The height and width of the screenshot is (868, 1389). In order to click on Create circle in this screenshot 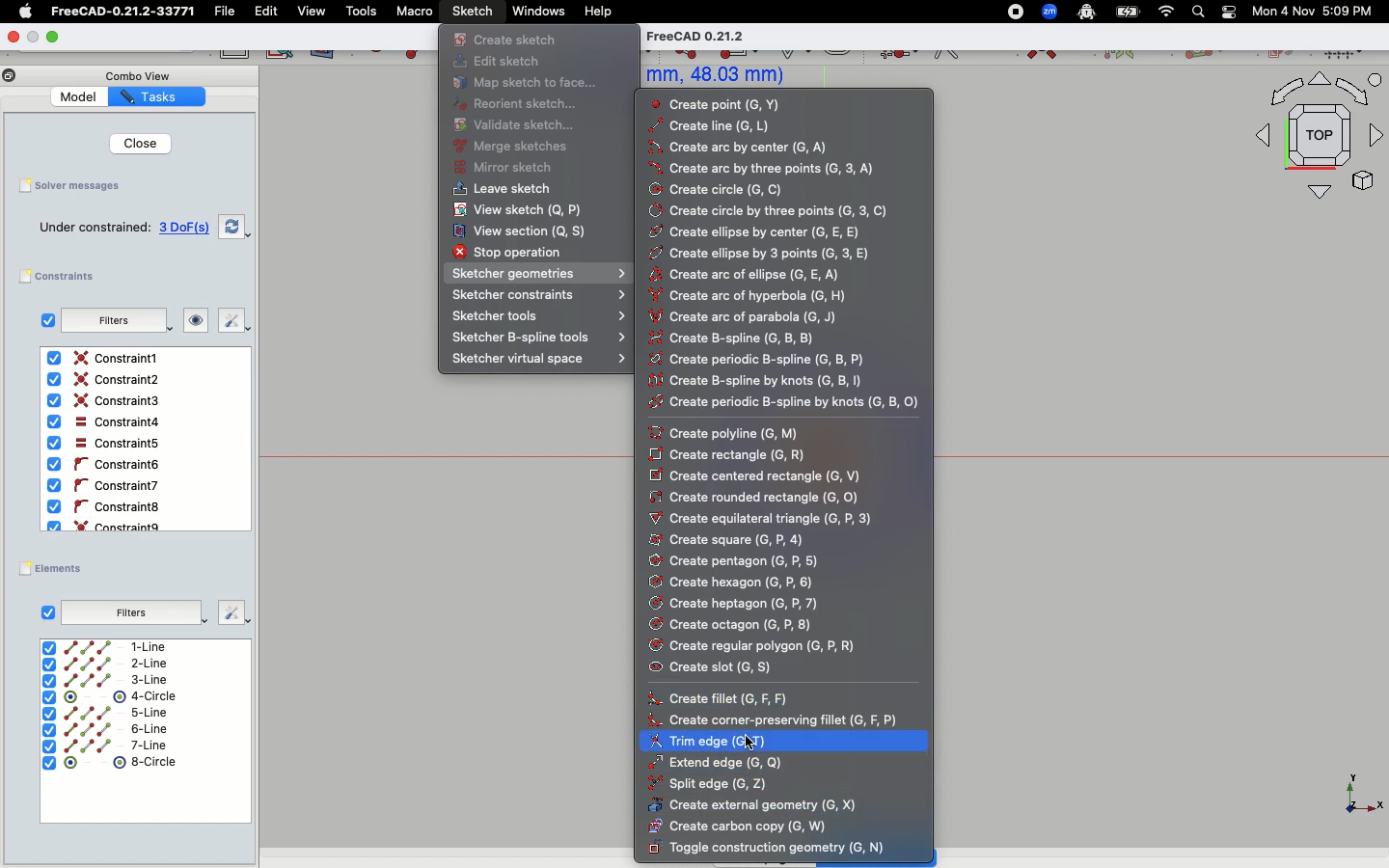, I will do `click(716, 190)`.